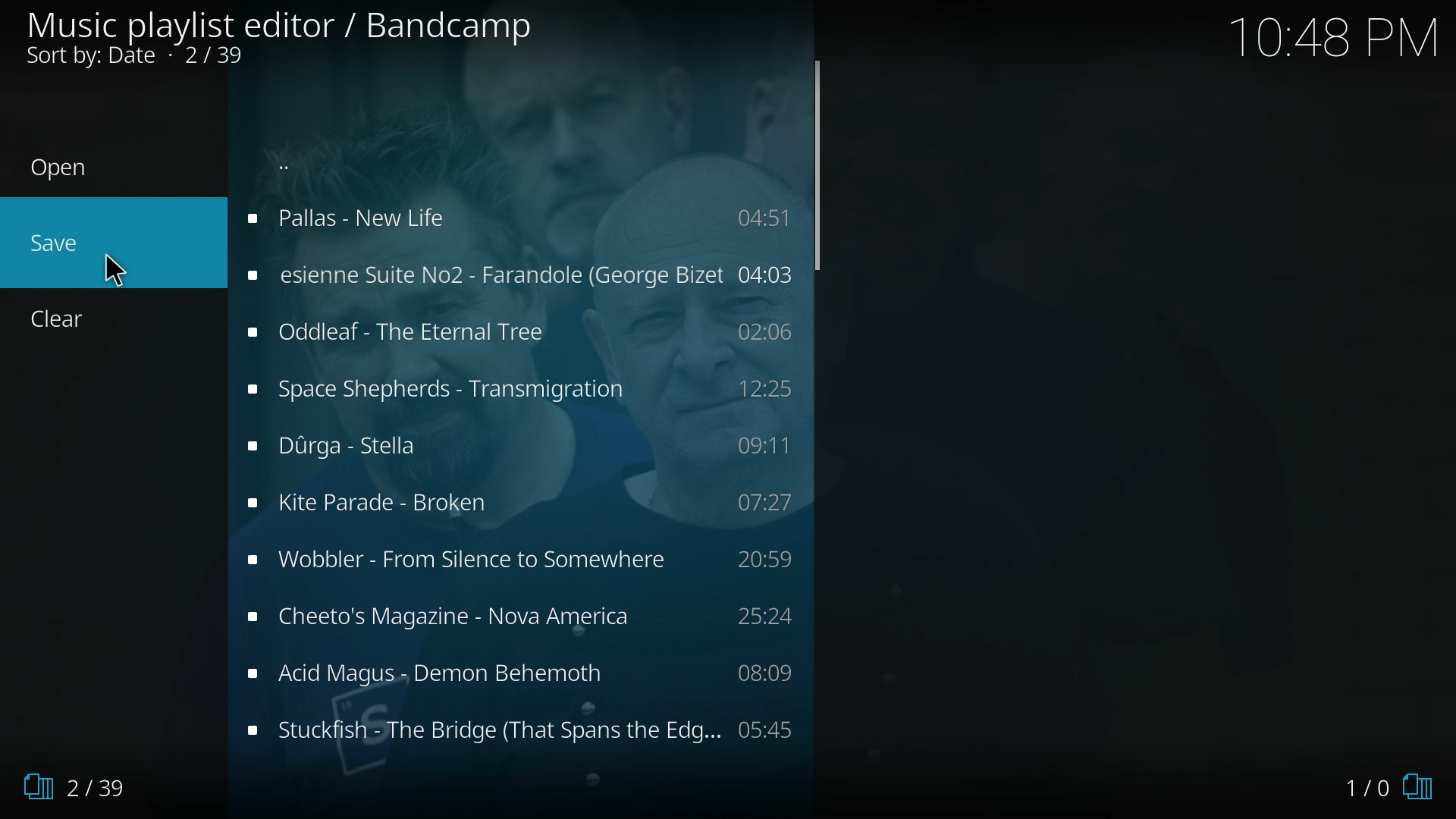  What do you see at coordinates (353, 153) in the screenshot?
I see `Back` at bounding box center [353, 153].